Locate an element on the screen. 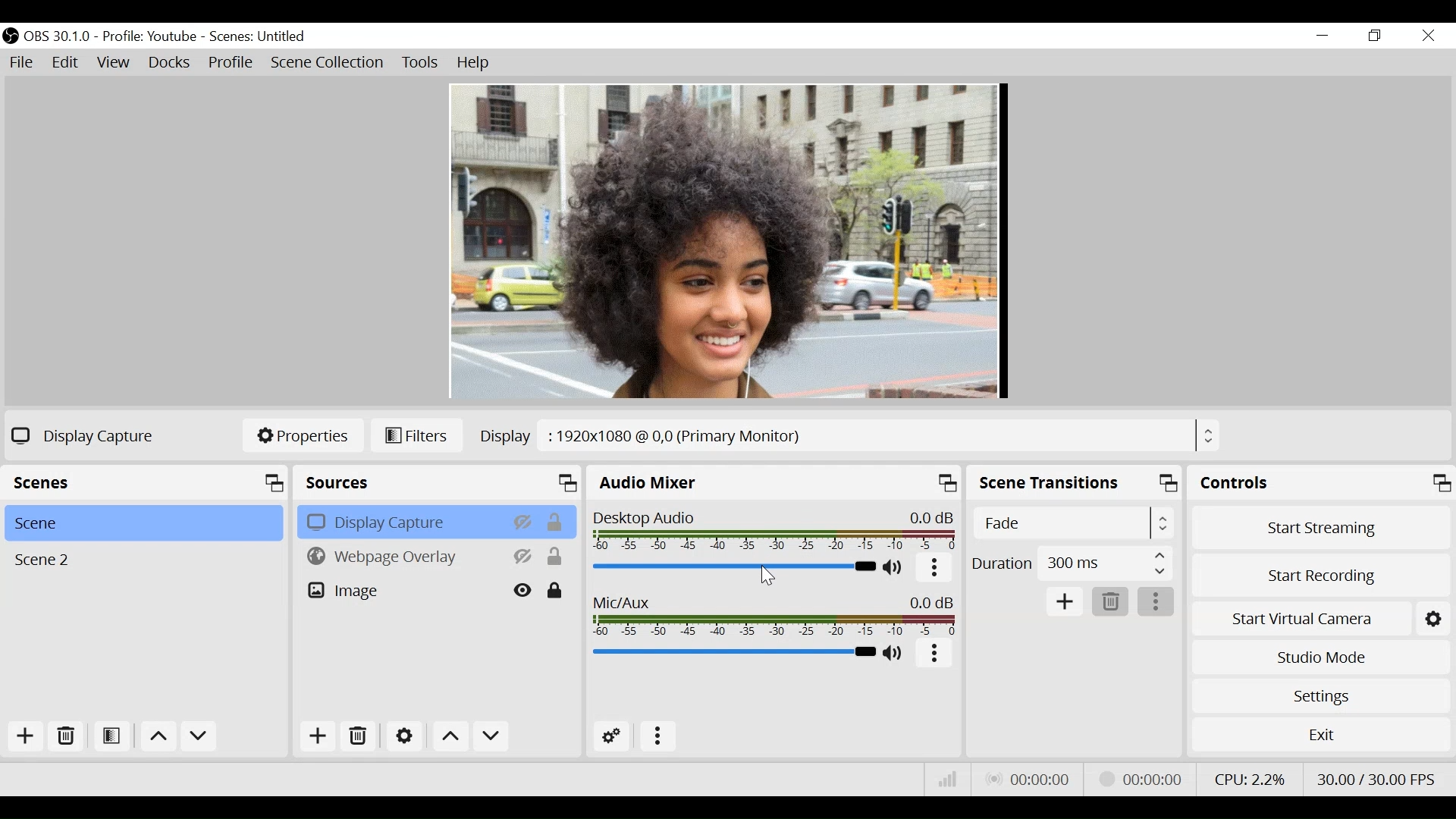  Desktop Audio Slider is located at coordinates (734, 567).